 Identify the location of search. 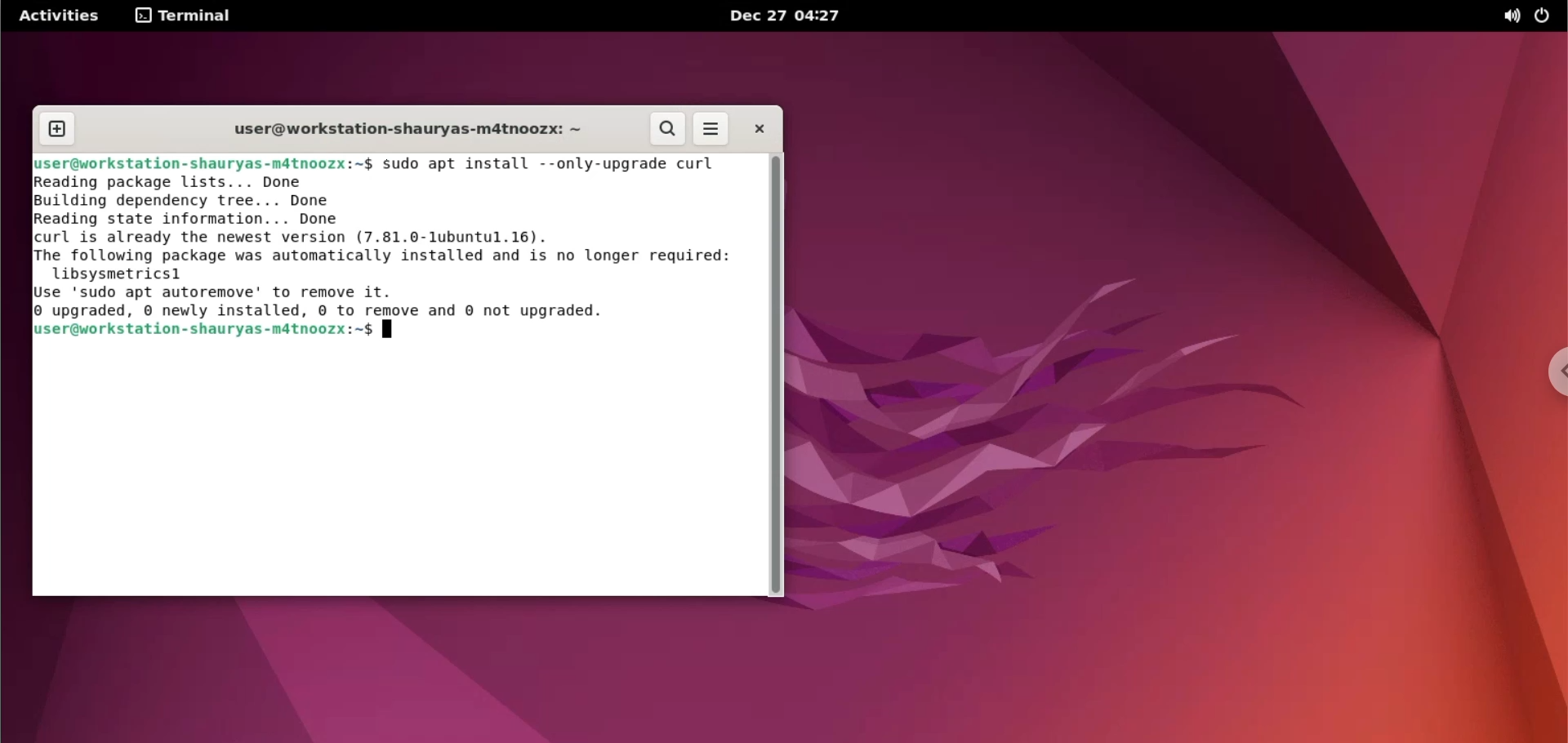
(669, 129).